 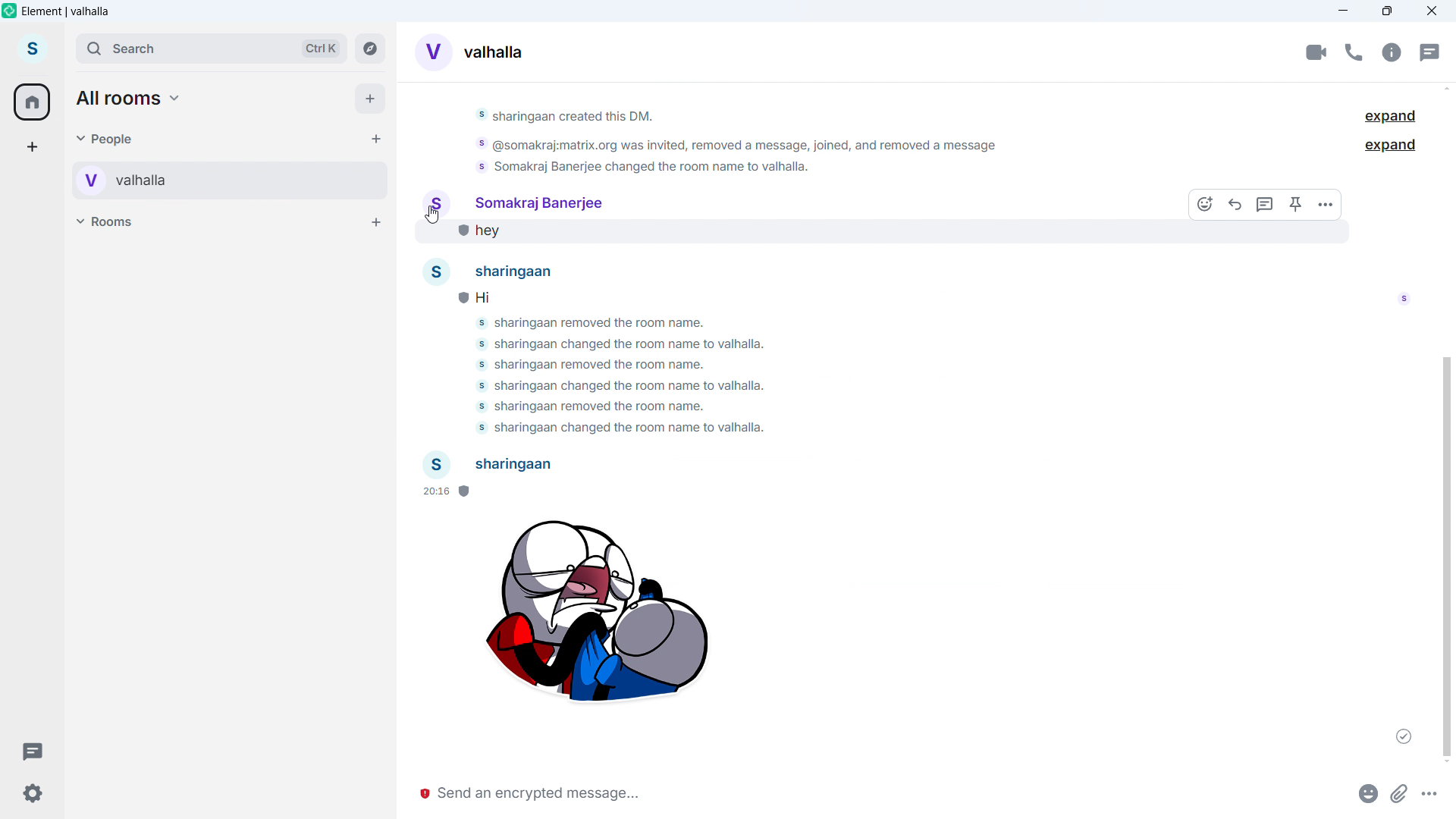 What do you see at coordinates (616, 386) in the screenshot?
I see `somakraj banerjee charged the room name to valhalla` at bounding box center [616, 386].